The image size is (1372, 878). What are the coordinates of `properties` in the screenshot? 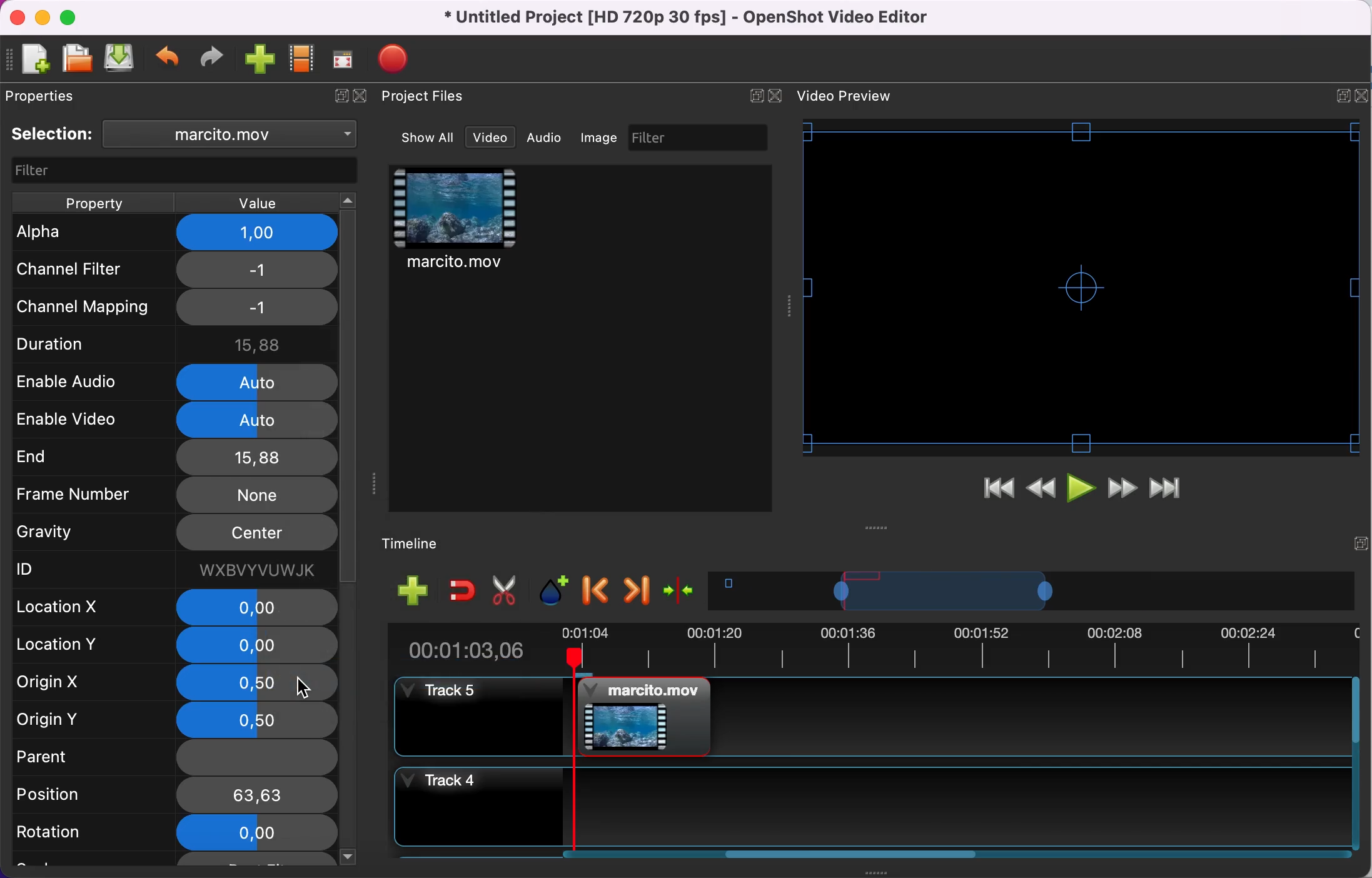 It's located at (46, 96).